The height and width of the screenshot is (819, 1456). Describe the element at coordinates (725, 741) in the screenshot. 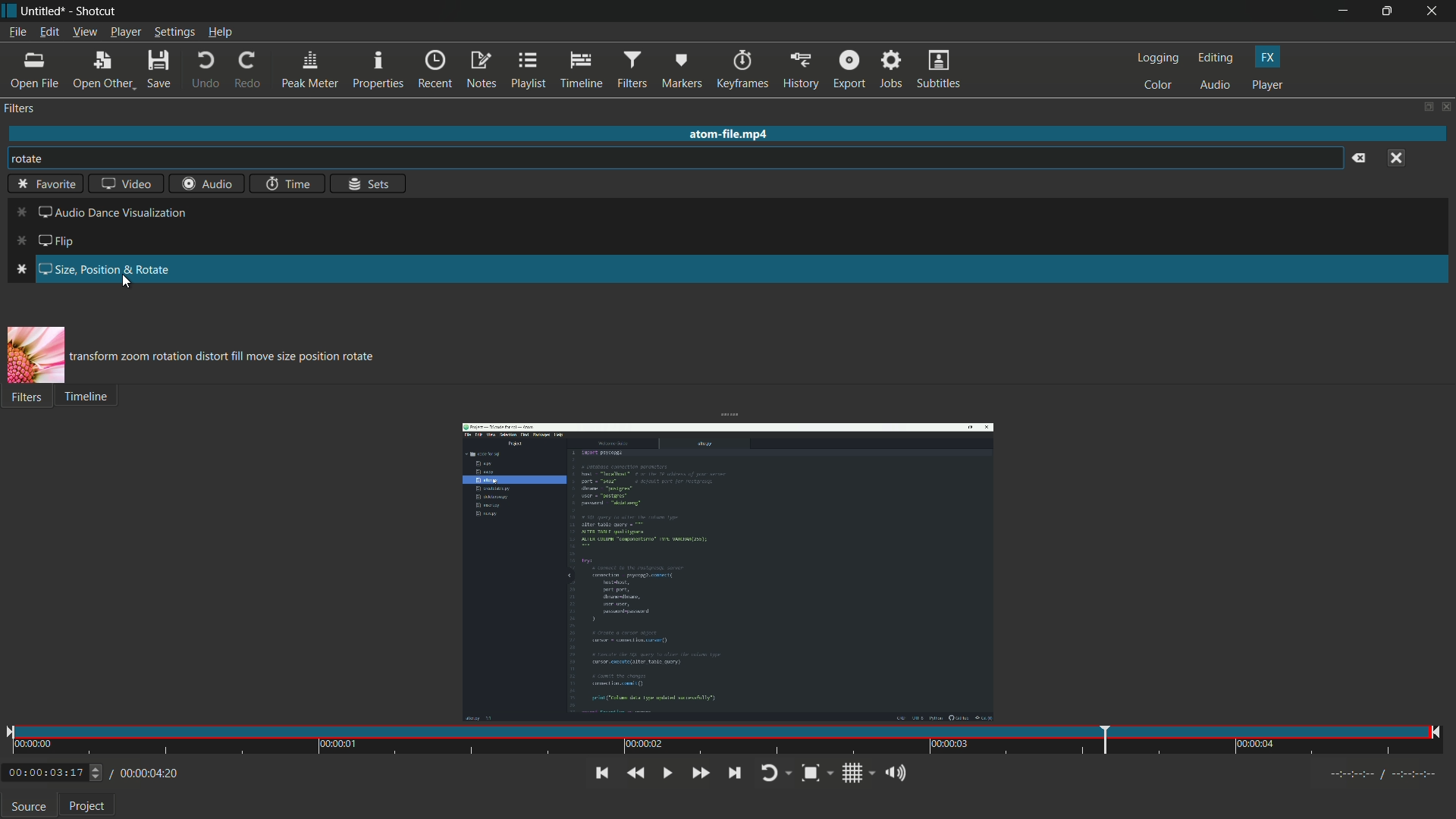

I see `time and position` at that location.